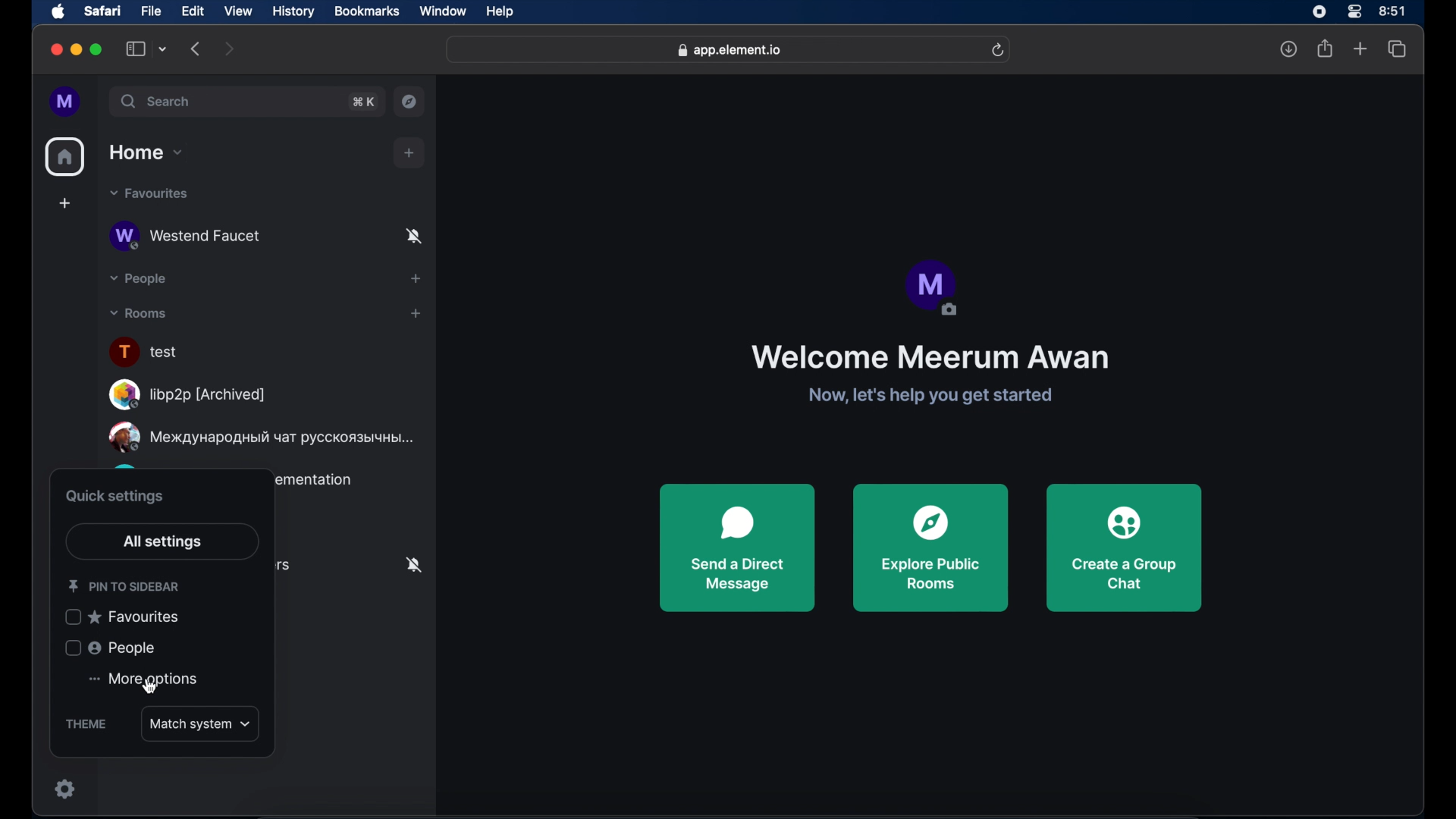 The width and height of the screenshot is (1456, 819). I want to click on view, so click(238, 11).